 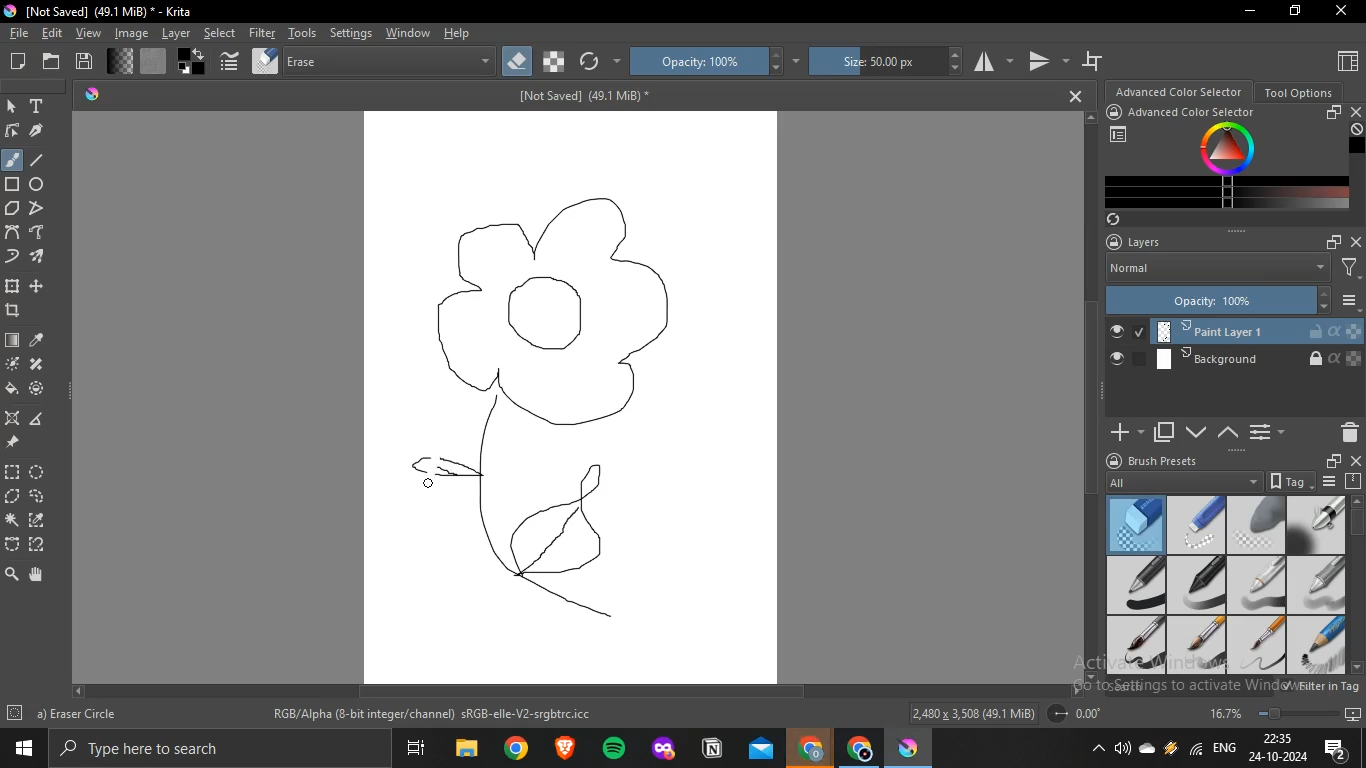 I want to click on float docker, so click(x=1333, y=241).